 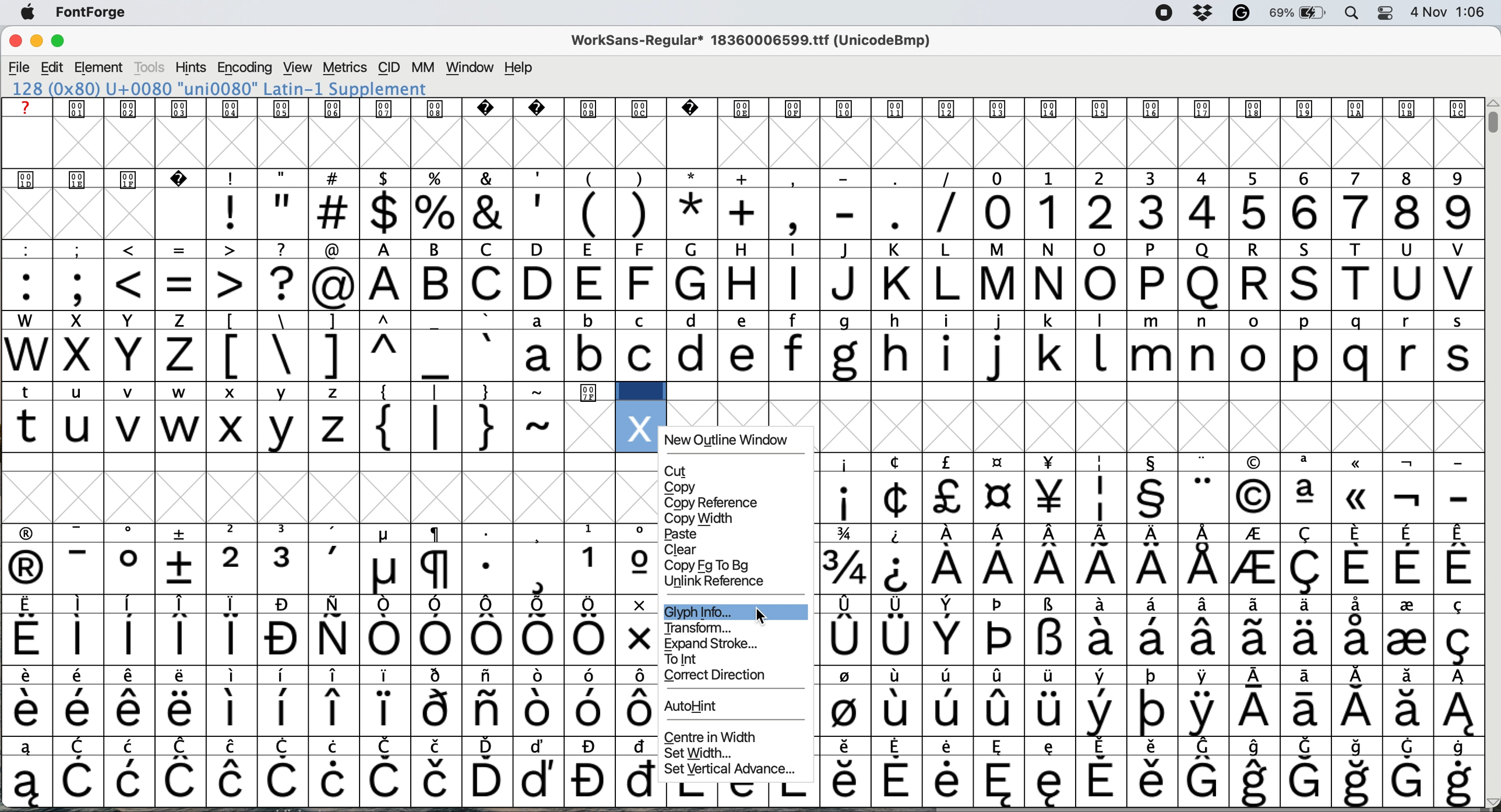 I want to click on centre in width, so click(x=714, y=736).